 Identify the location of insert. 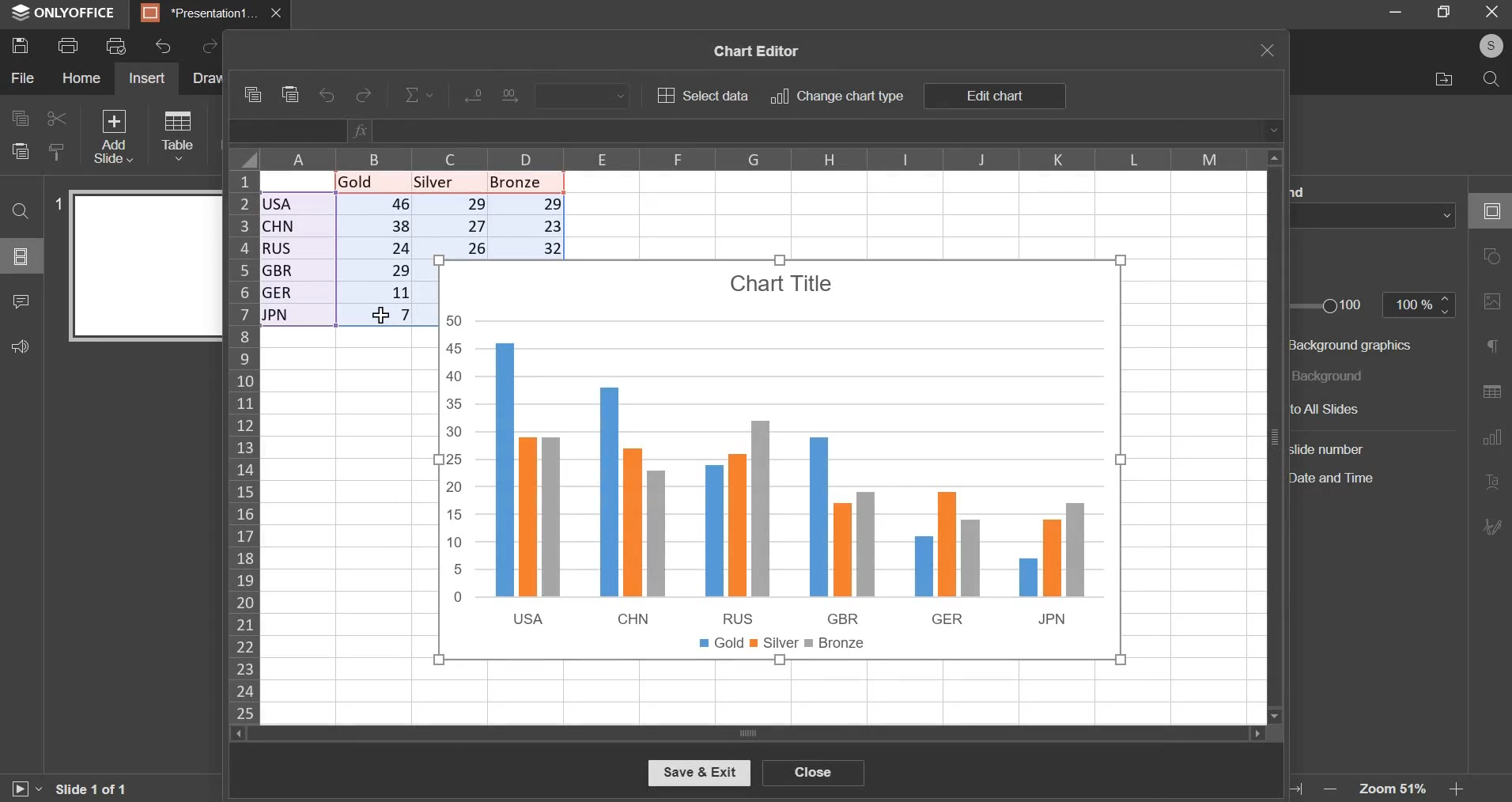
(146, 78).